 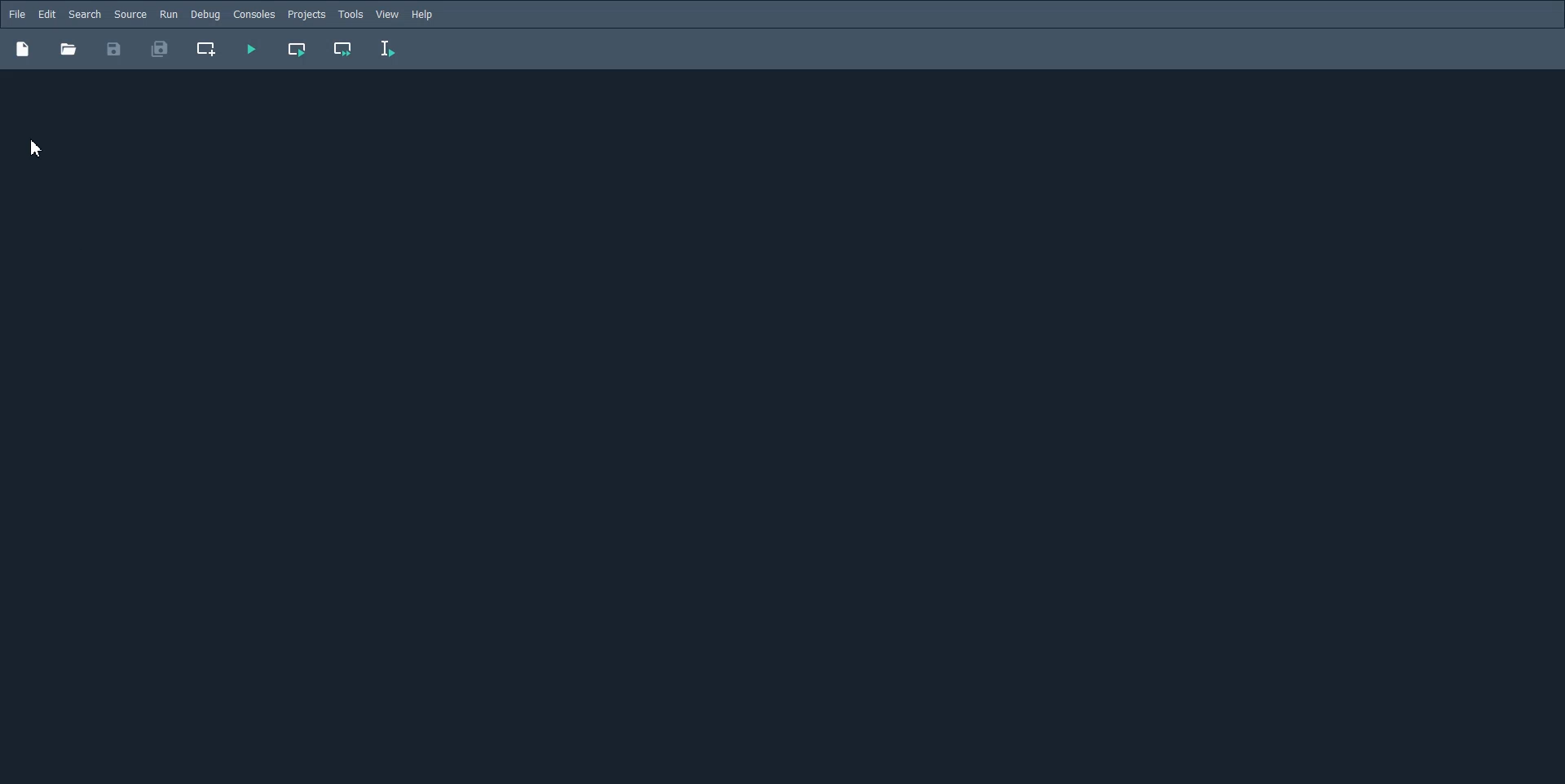 What do you see at coordinates (388, 15) in the screenshot?
I see `view` at bounding box center [388, 15].